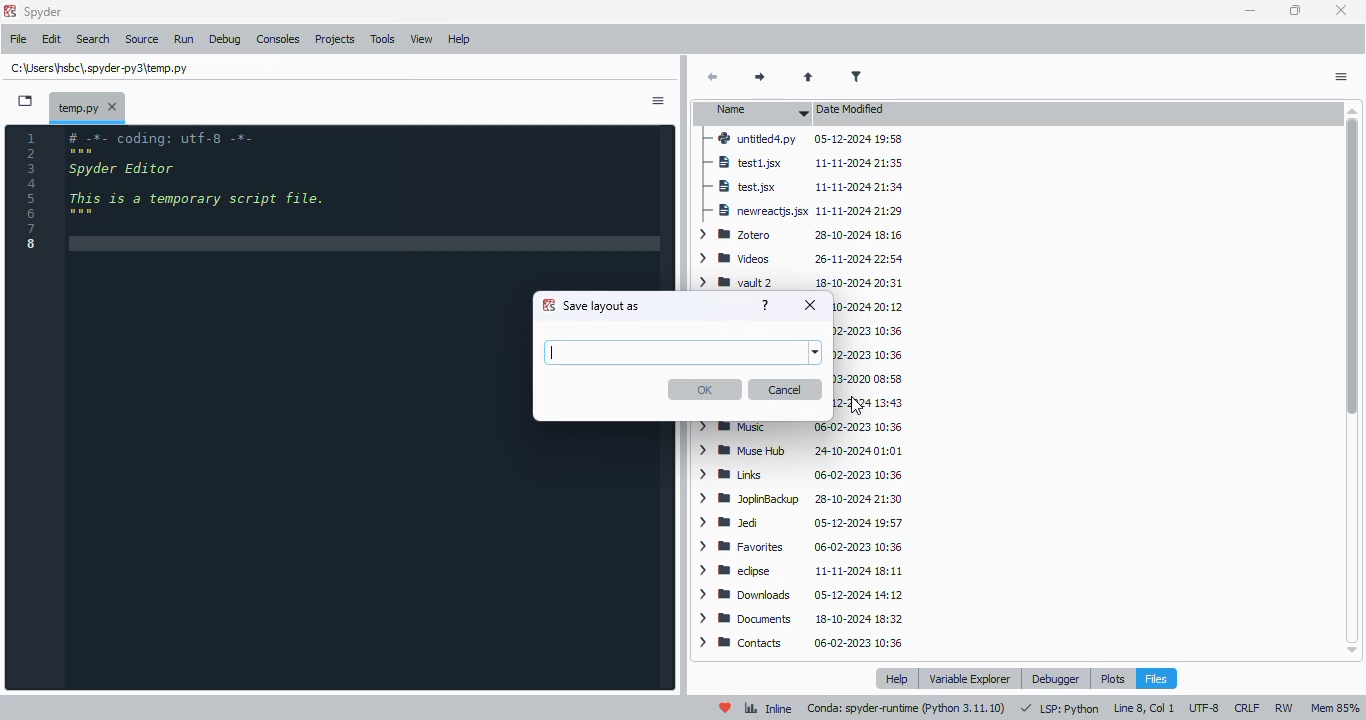 The height and width of the screenshot is (720, 1366). Describe the element at coordinates (804, 522) in the screenshot. I see `Jed` at that location.